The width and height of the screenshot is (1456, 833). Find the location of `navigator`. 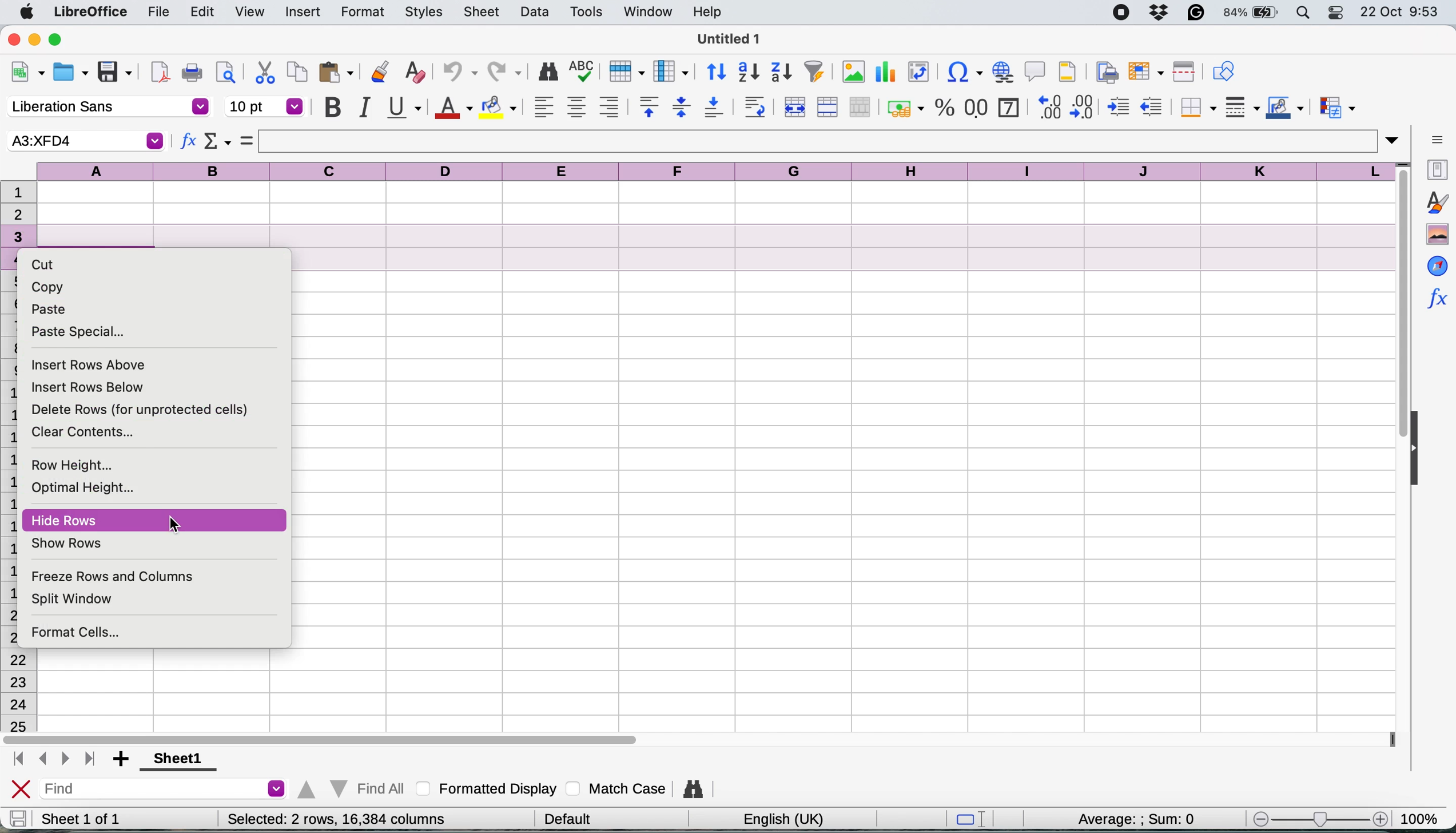

navigator is located at coordinates (1437, 265).